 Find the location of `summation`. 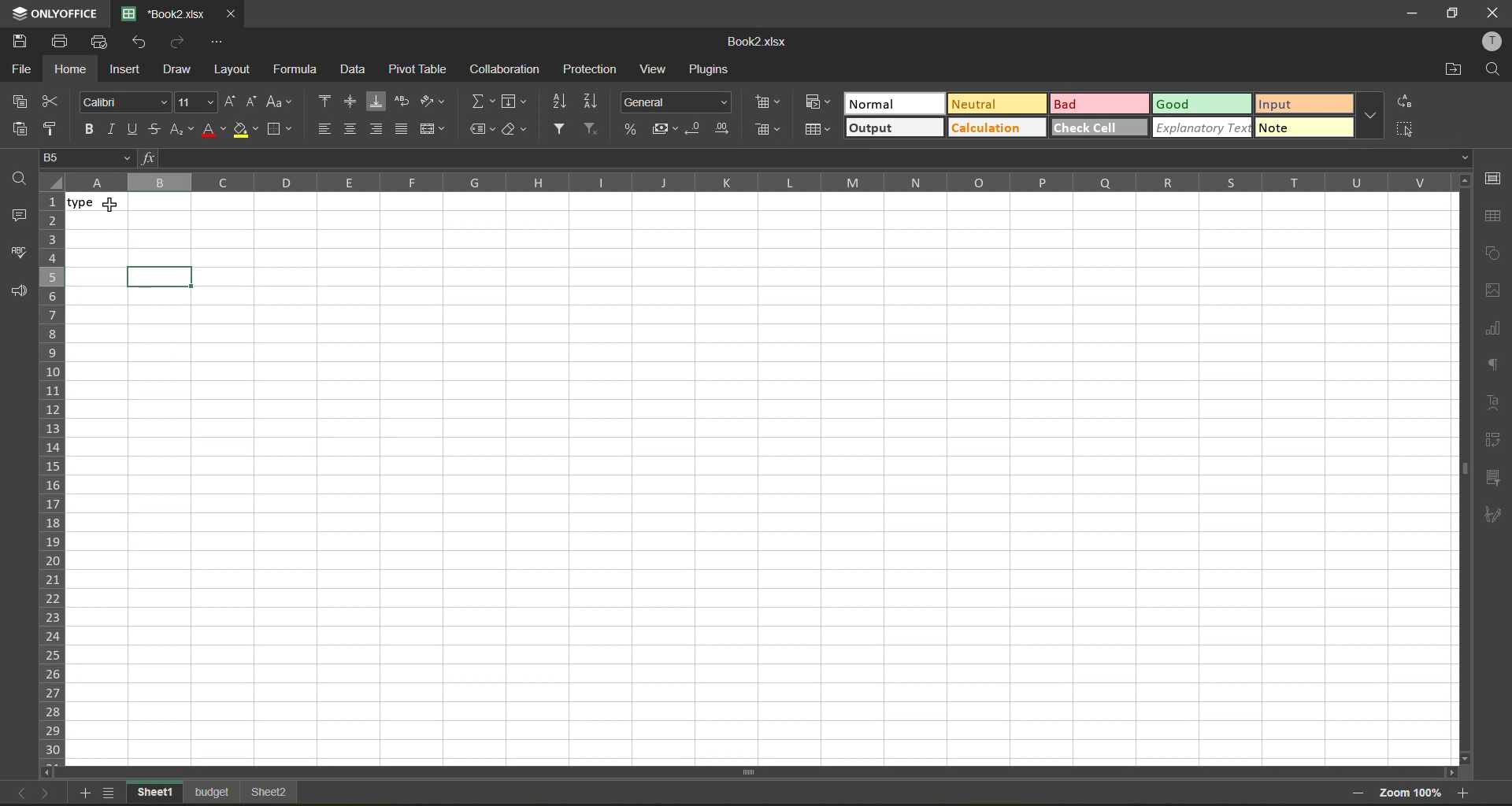

summation is located at coordinates (481, 100).